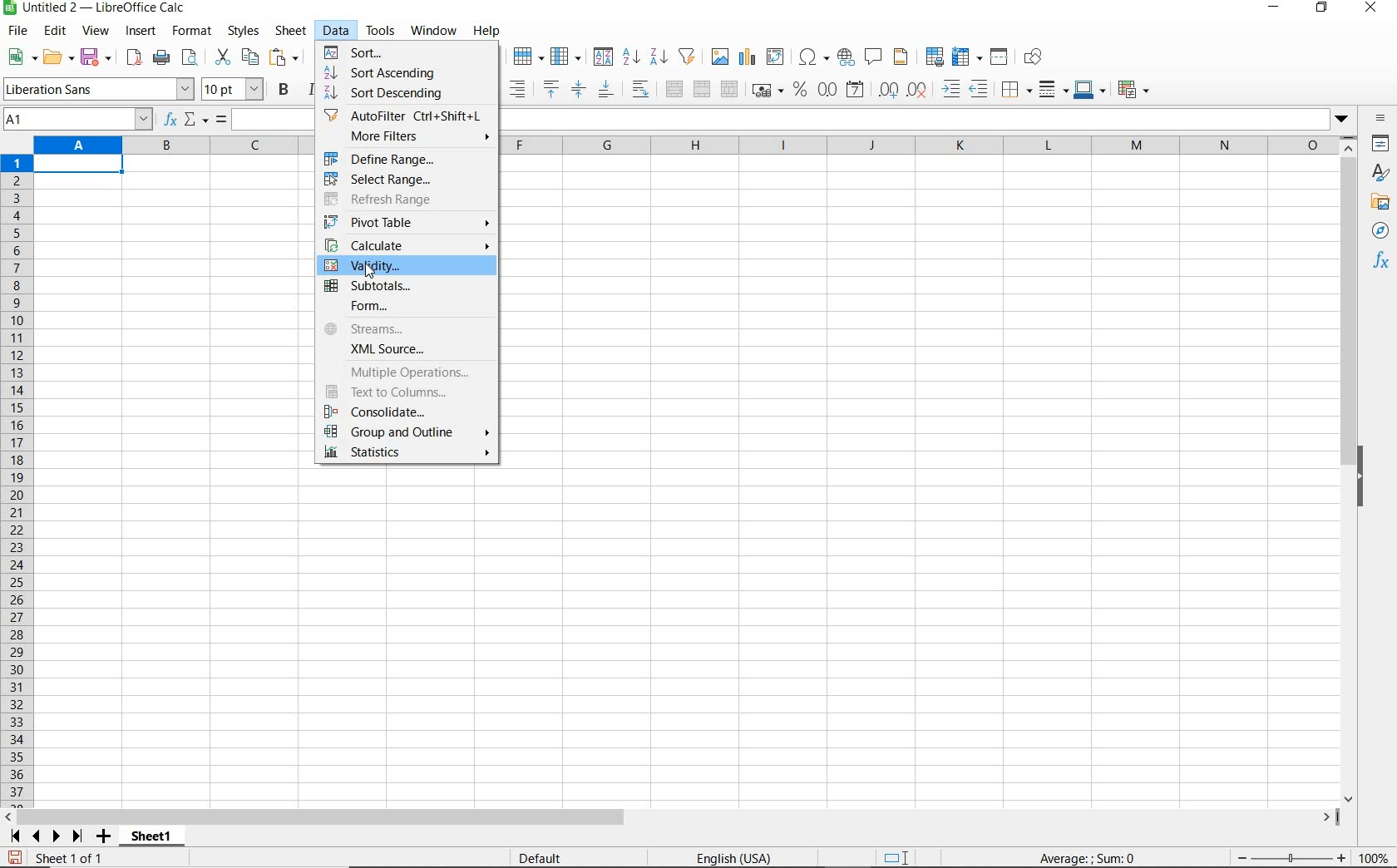 This screenshot has height=868, width=1397. What do you see at coordinates (918, 89) in the screenshot?
I see `delete decimal place` at bounding box center [918, 89].